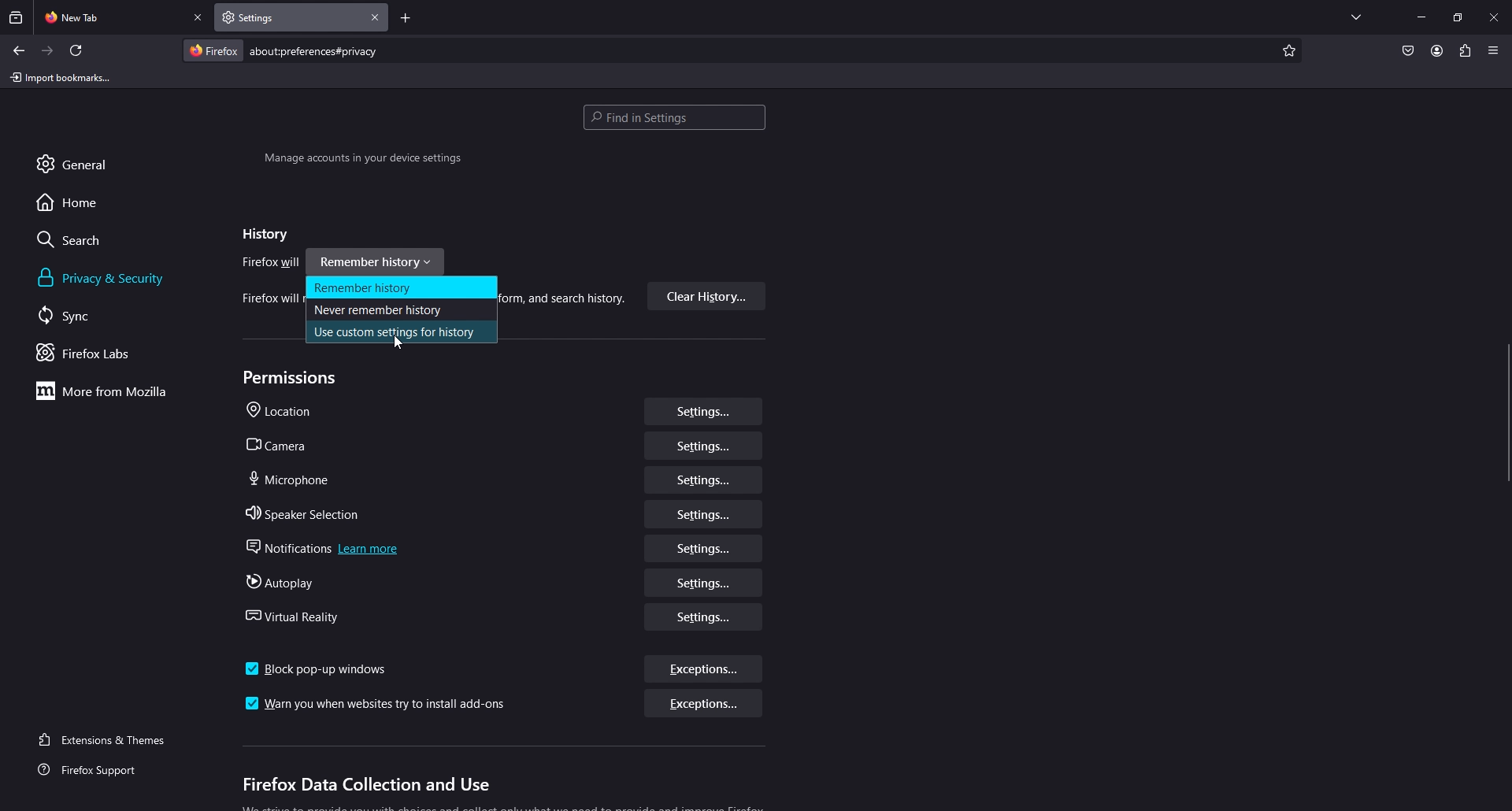  I want to click on sync, so click(82, 315).